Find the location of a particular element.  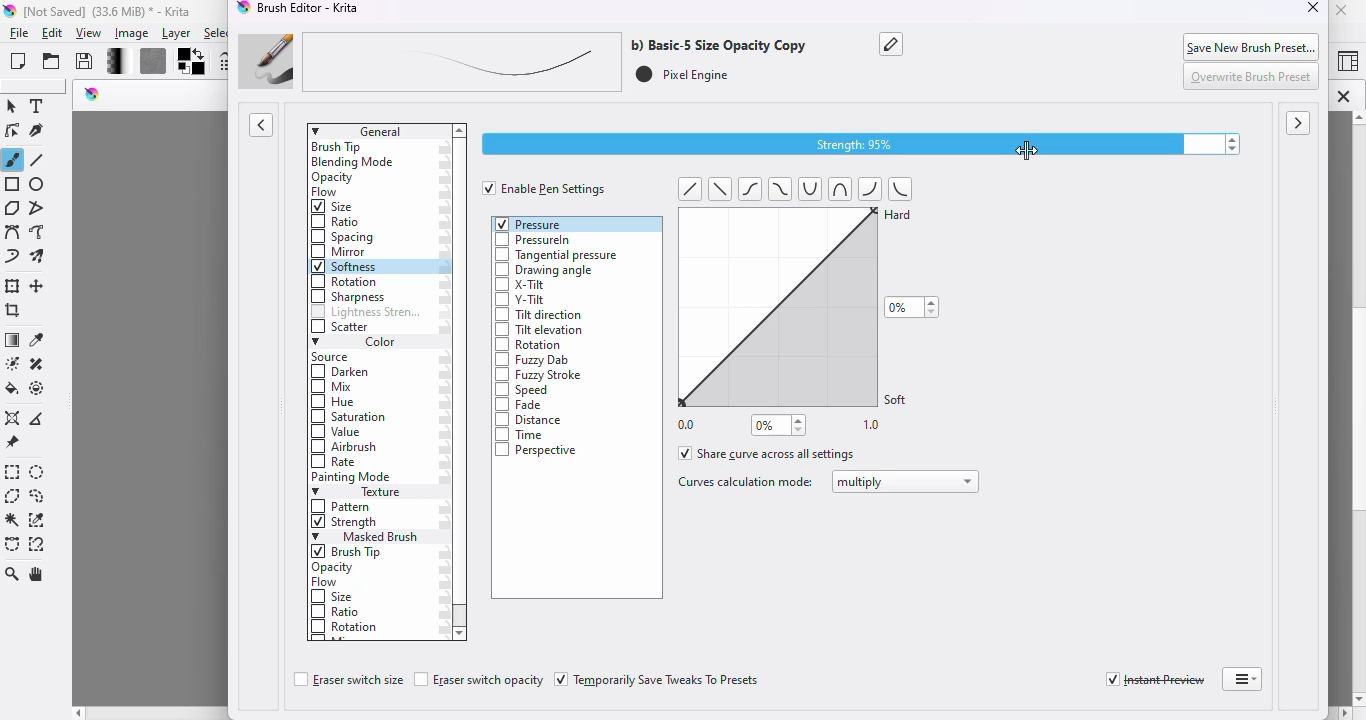

time is located at coordinates (523, 435).